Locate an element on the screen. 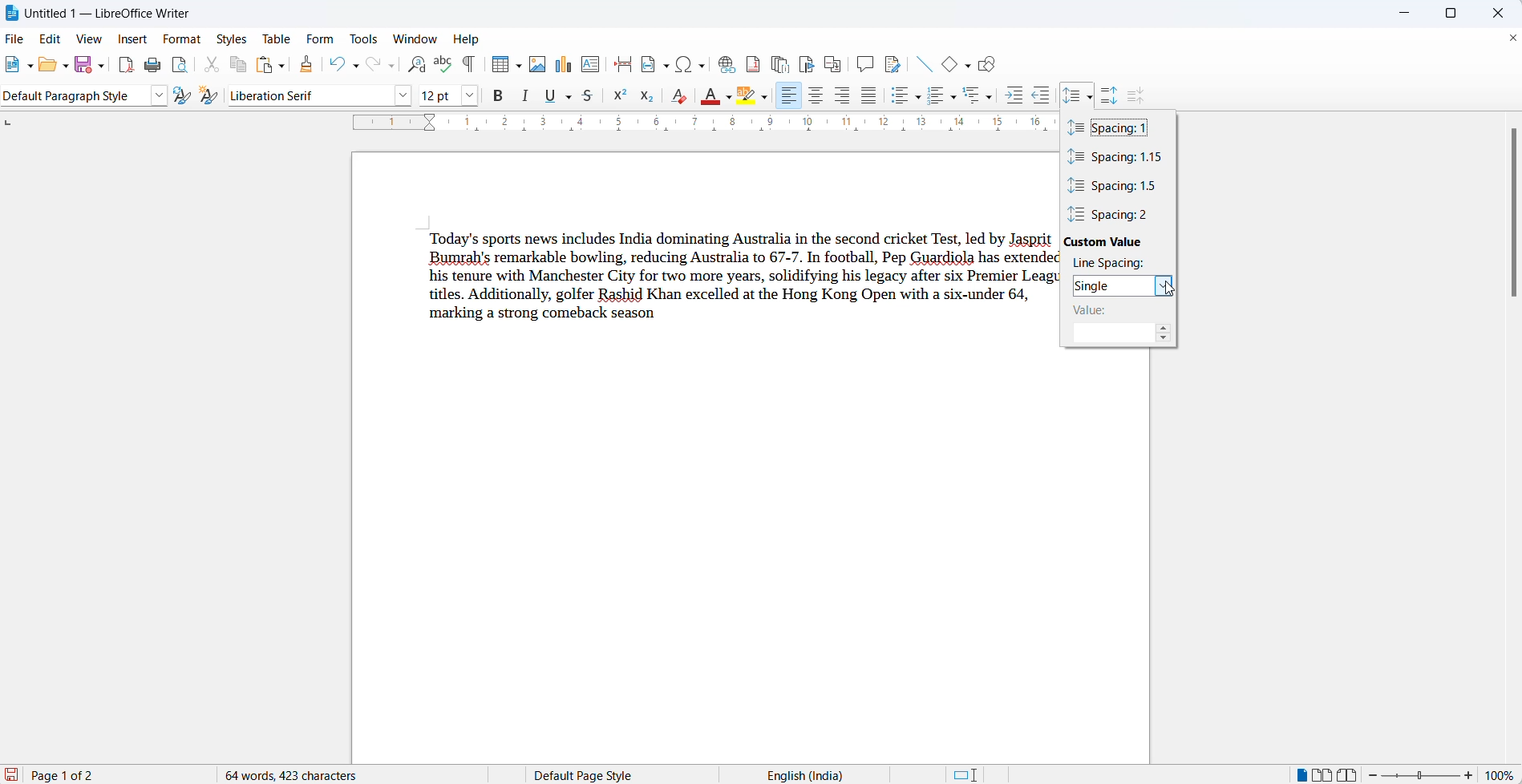  open options is located at coordinates (62, 66).